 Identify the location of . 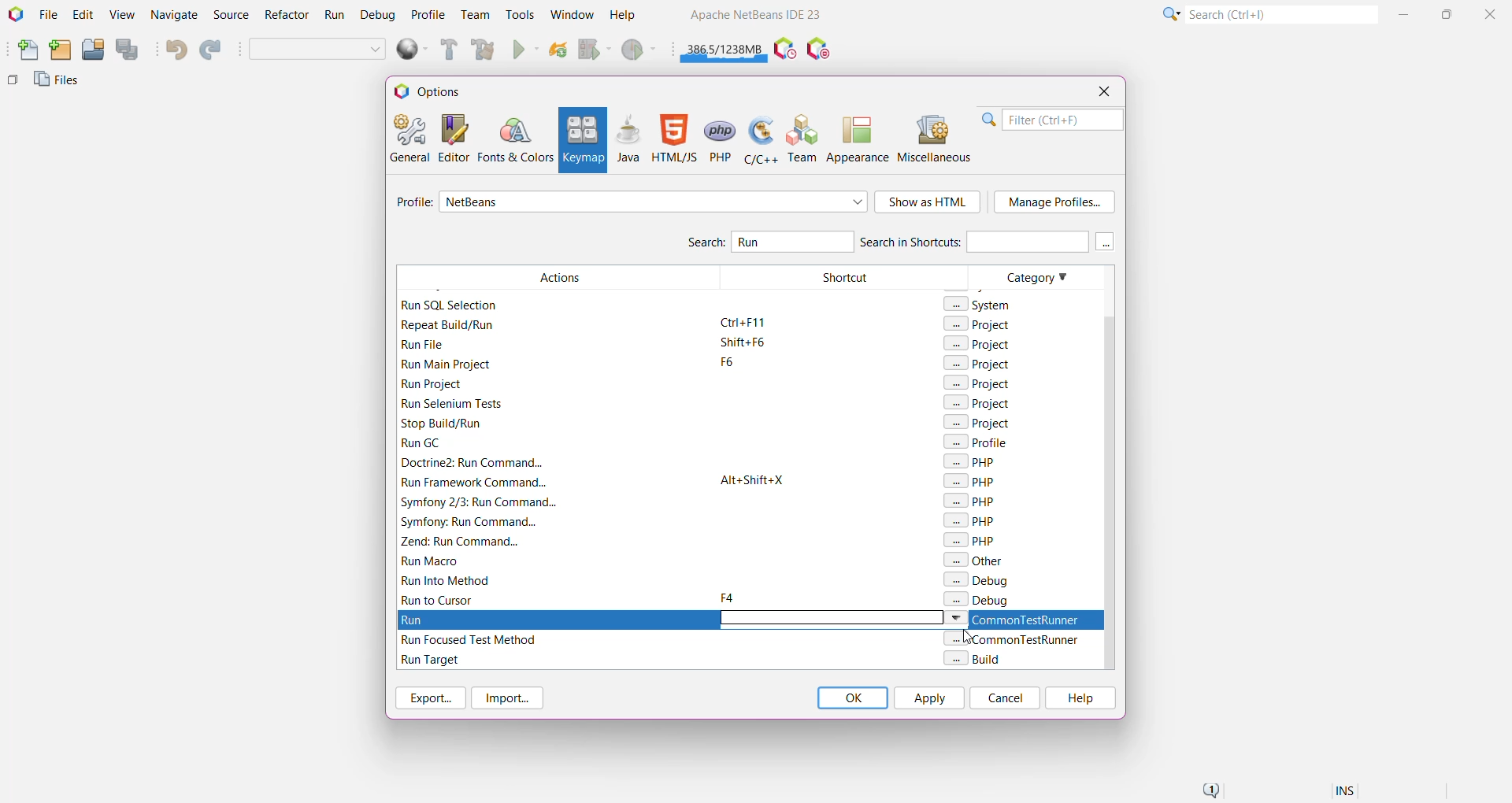
(412, 50).